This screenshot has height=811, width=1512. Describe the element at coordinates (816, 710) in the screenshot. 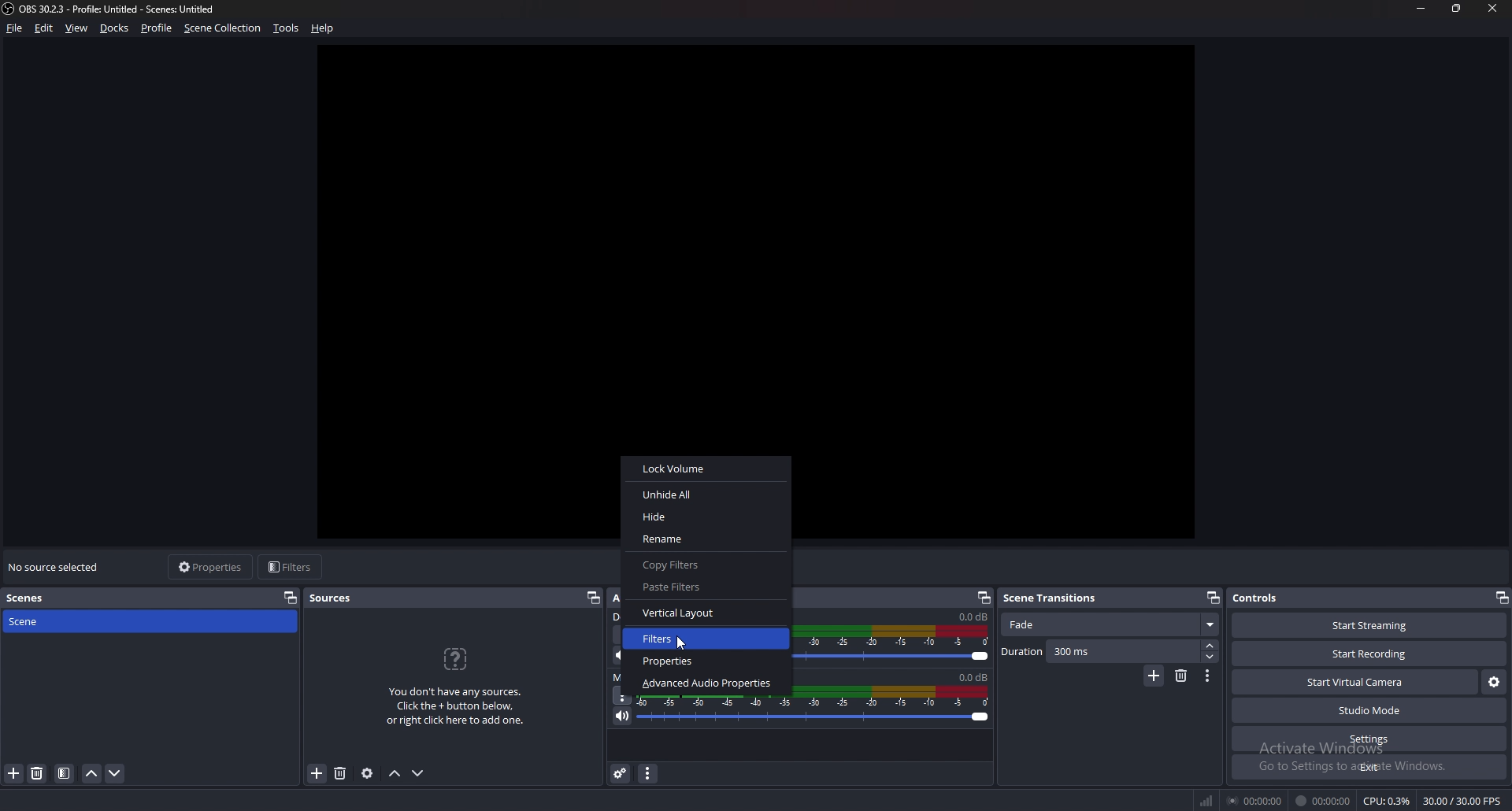

I see `mic/aux volume adjust` at that location.